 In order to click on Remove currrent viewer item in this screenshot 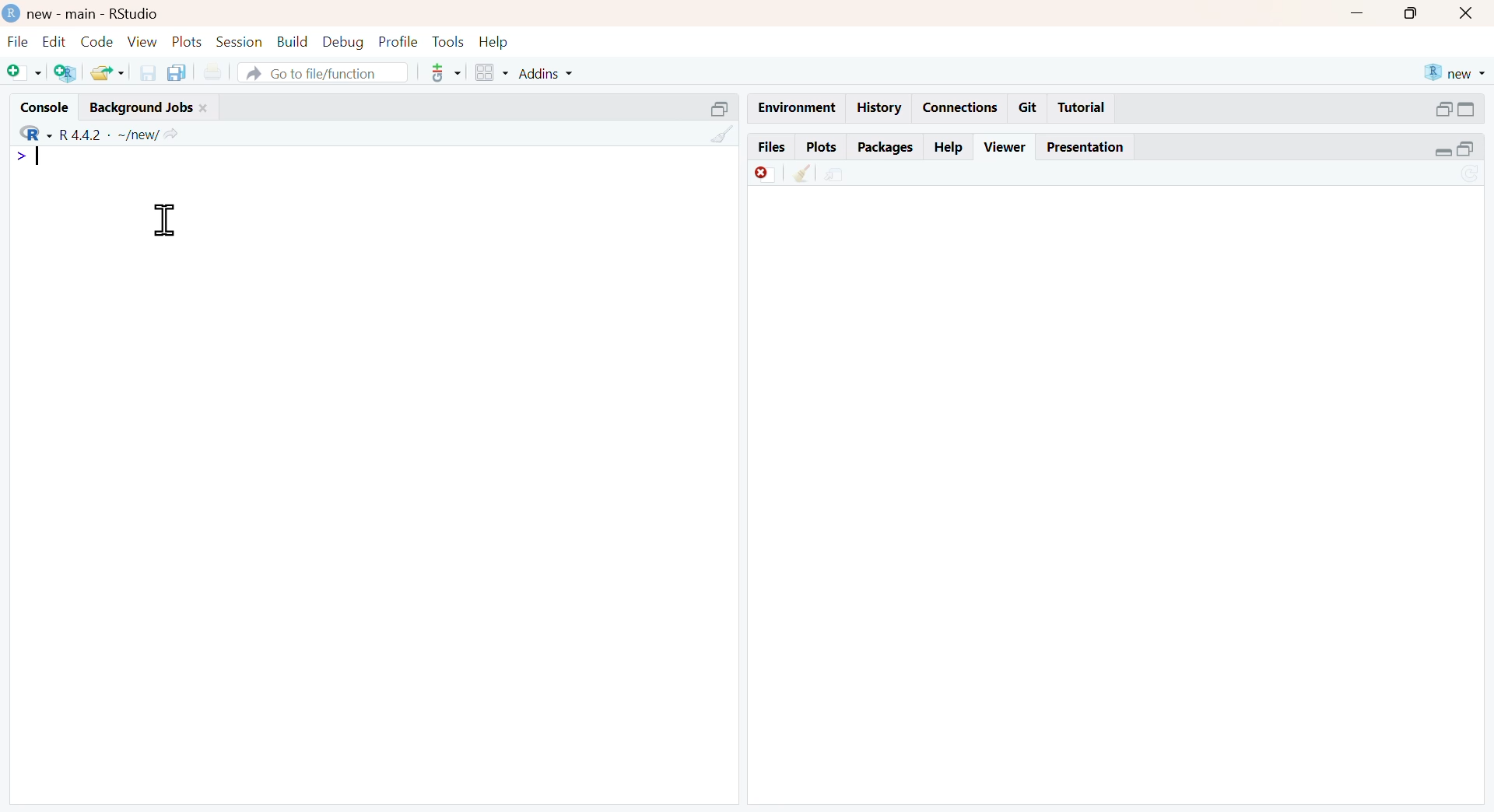, I will do `click(760, 178)`.